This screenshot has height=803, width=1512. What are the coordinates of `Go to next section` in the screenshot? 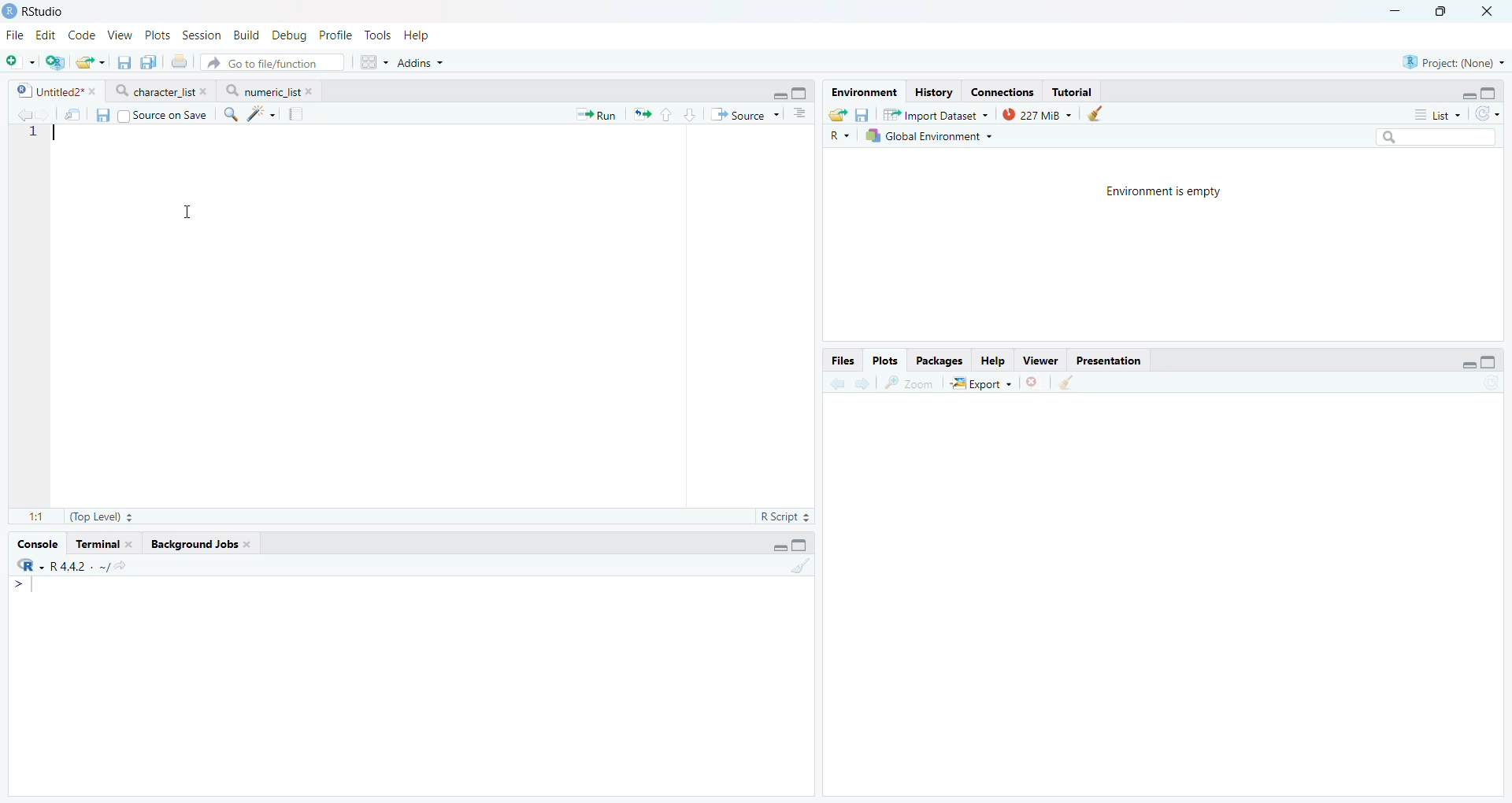 It's located at (691, 113).